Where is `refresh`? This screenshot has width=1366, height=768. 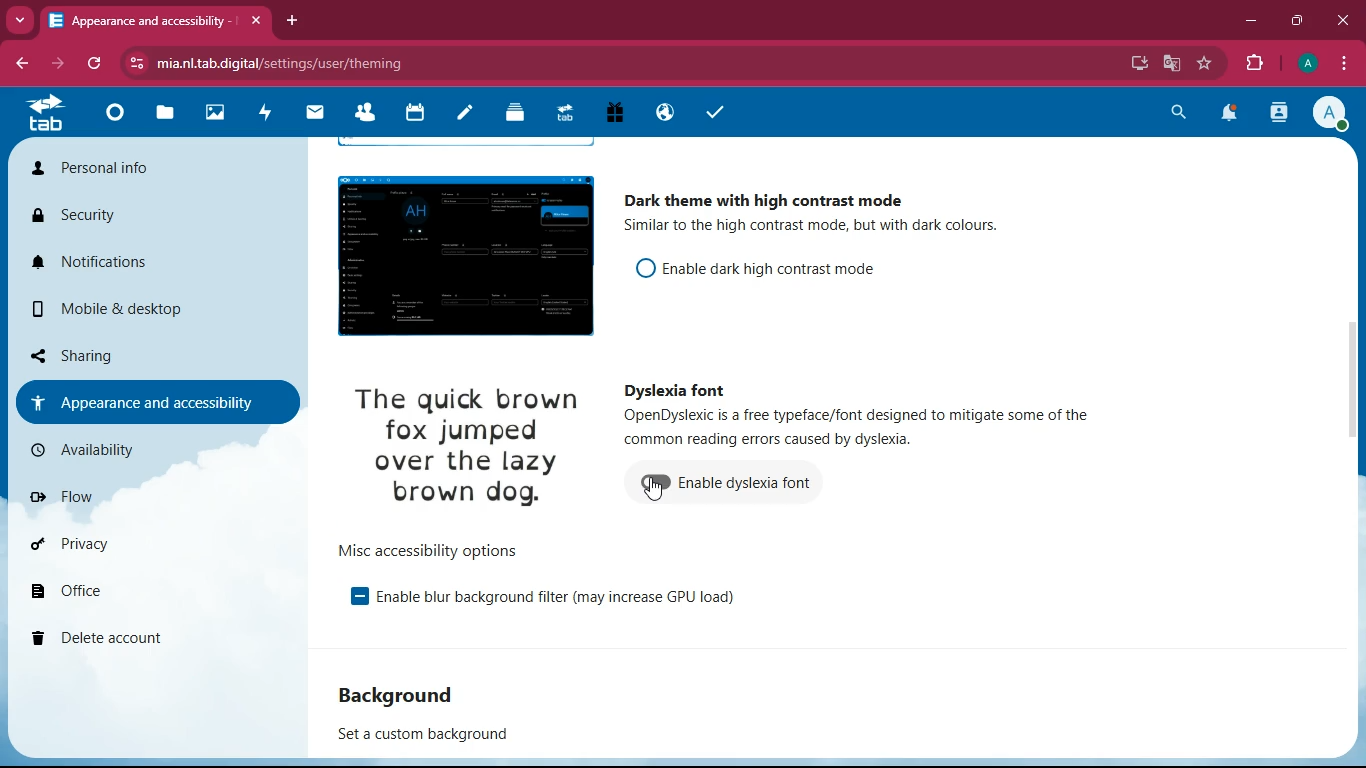
refresh is located at coordinates (98, 63).